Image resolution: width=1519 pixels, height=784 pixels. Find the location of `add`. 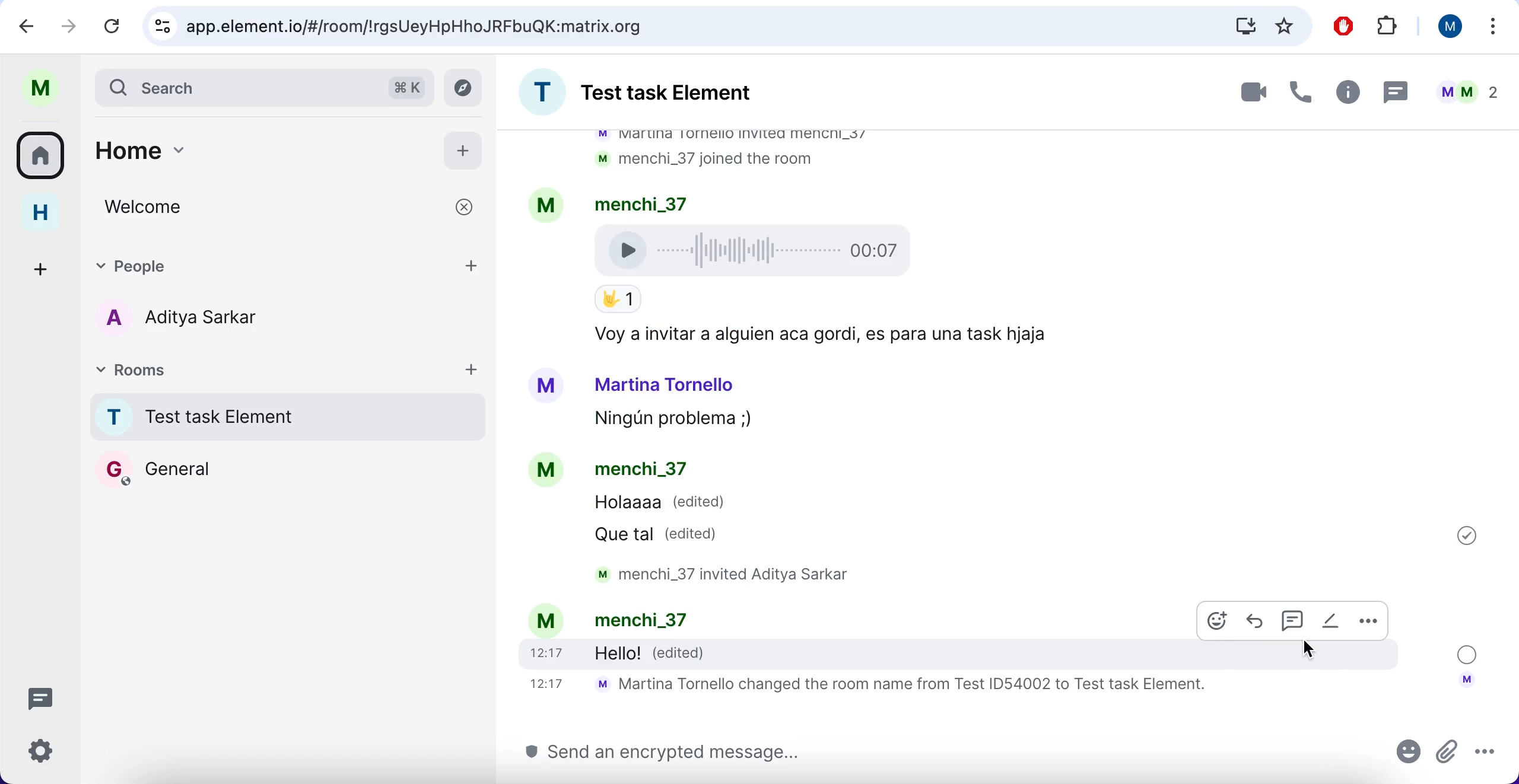

add is located at coordinates (464, 151).